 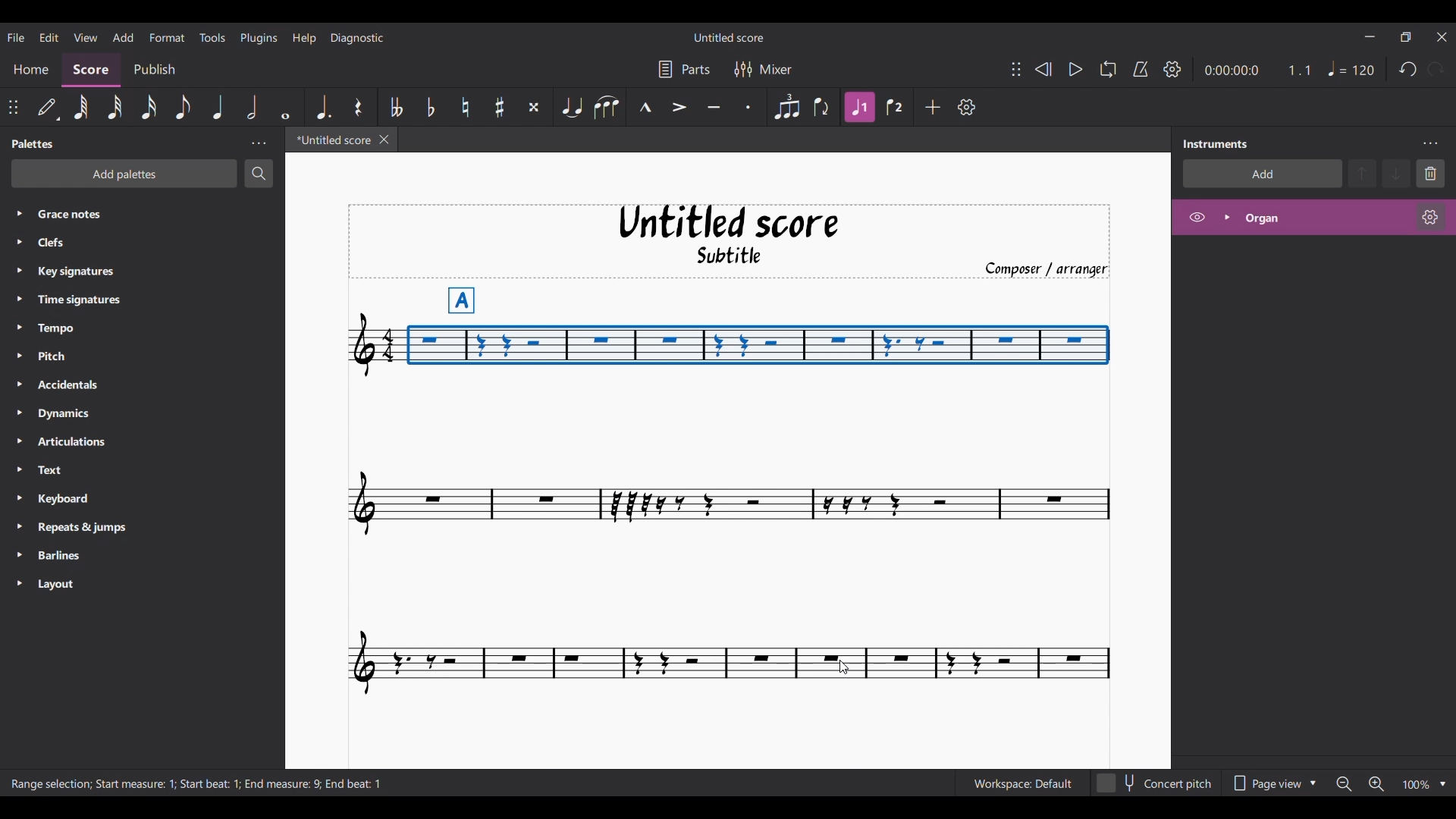 What do you see at coordinates (1045, 268) in the screenshot?
I see `Composer/arranger` at bounding box center [1045, 268].